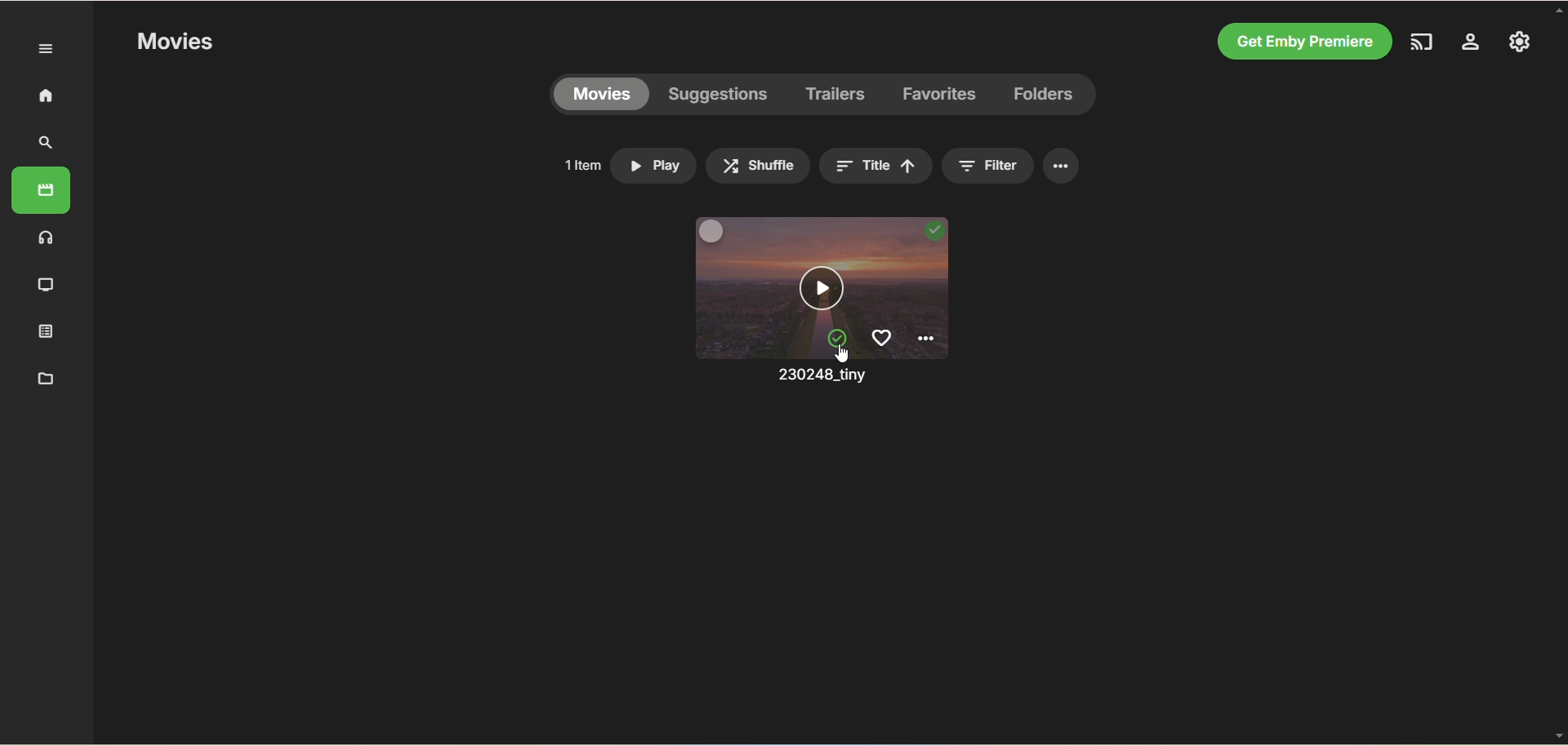 The width and height of the screenshot is (1568, 746). Describe the element at coordinates (42, 48) in the screenshot. I see `expand` at that location.